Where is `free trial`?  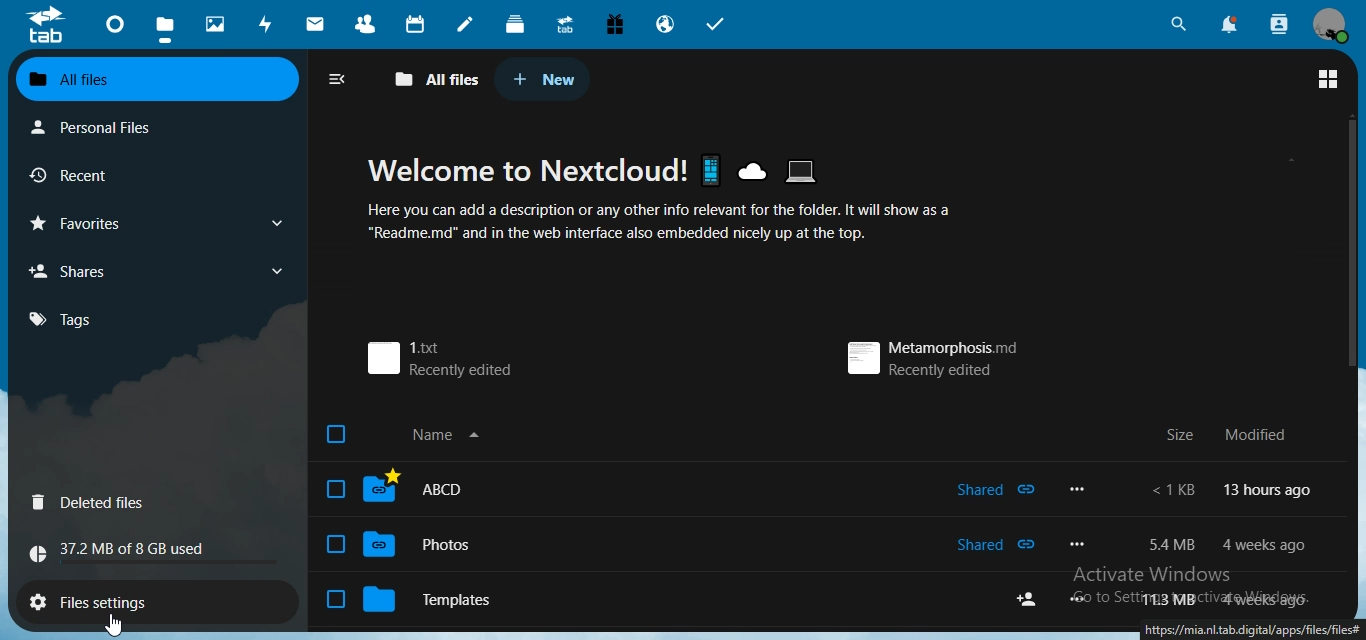 free trial is located at coordinates (616, 24).